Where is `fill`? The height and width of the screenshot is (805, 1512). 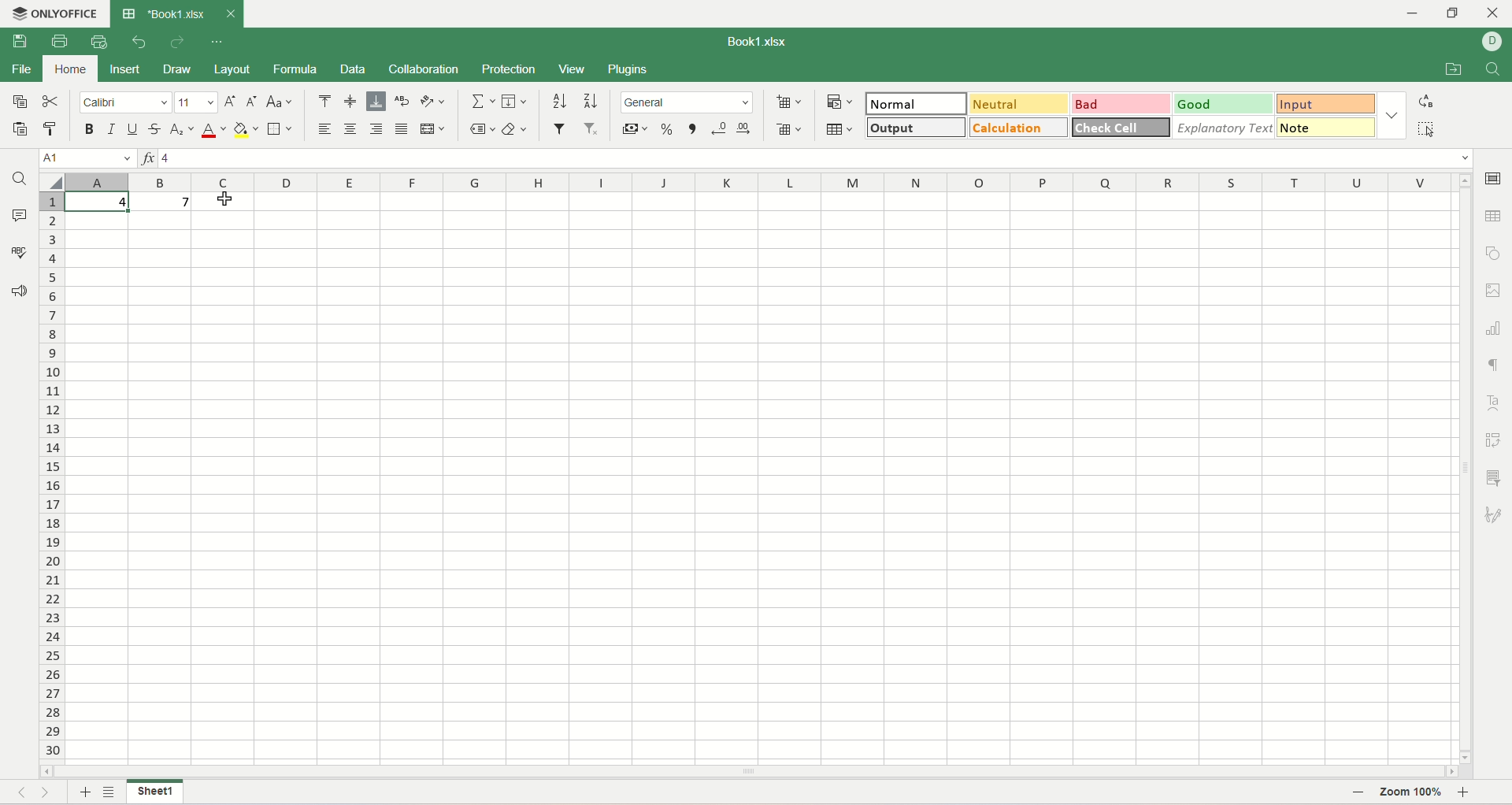
fill is located at coordinates (514, 102).